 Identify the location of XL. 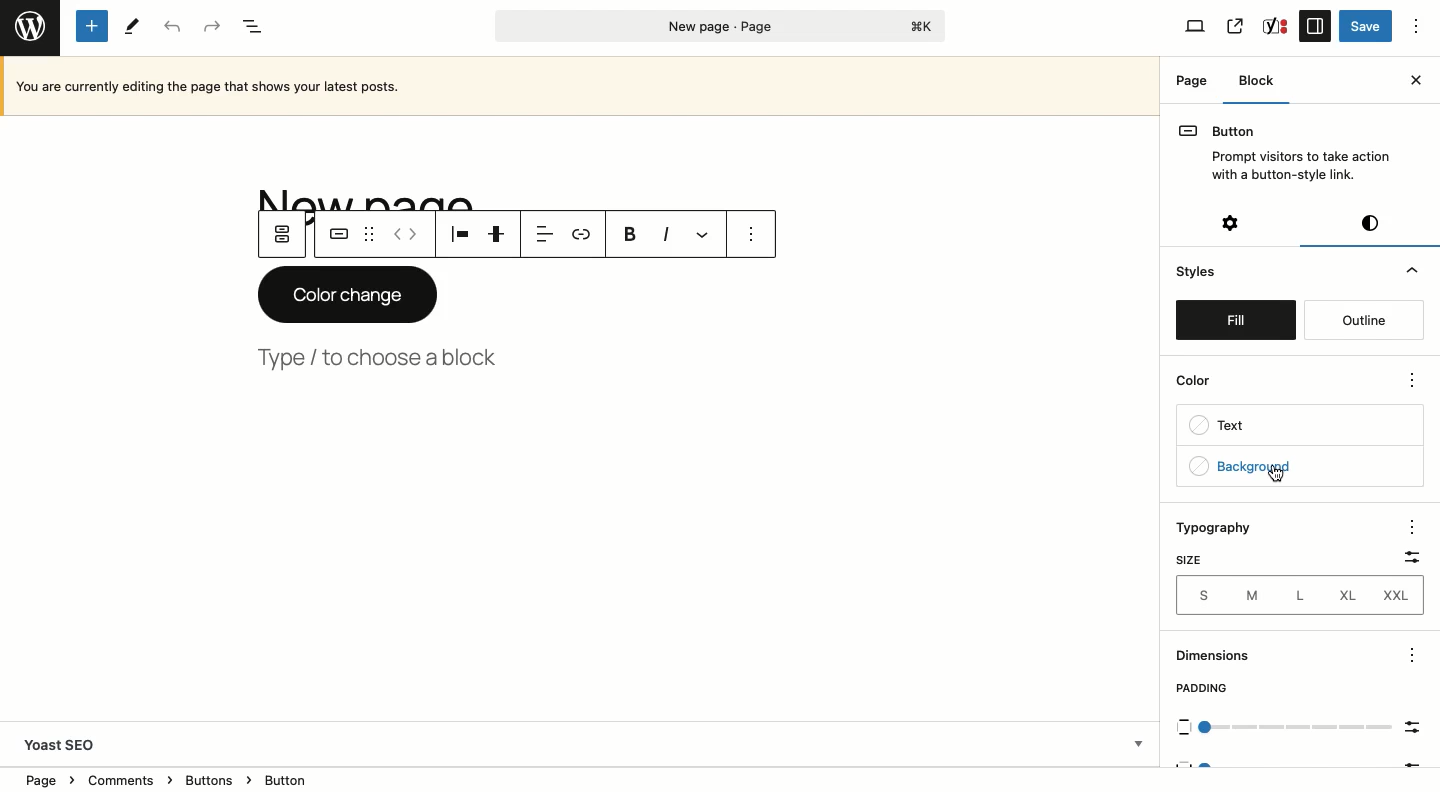
(1349, 596).